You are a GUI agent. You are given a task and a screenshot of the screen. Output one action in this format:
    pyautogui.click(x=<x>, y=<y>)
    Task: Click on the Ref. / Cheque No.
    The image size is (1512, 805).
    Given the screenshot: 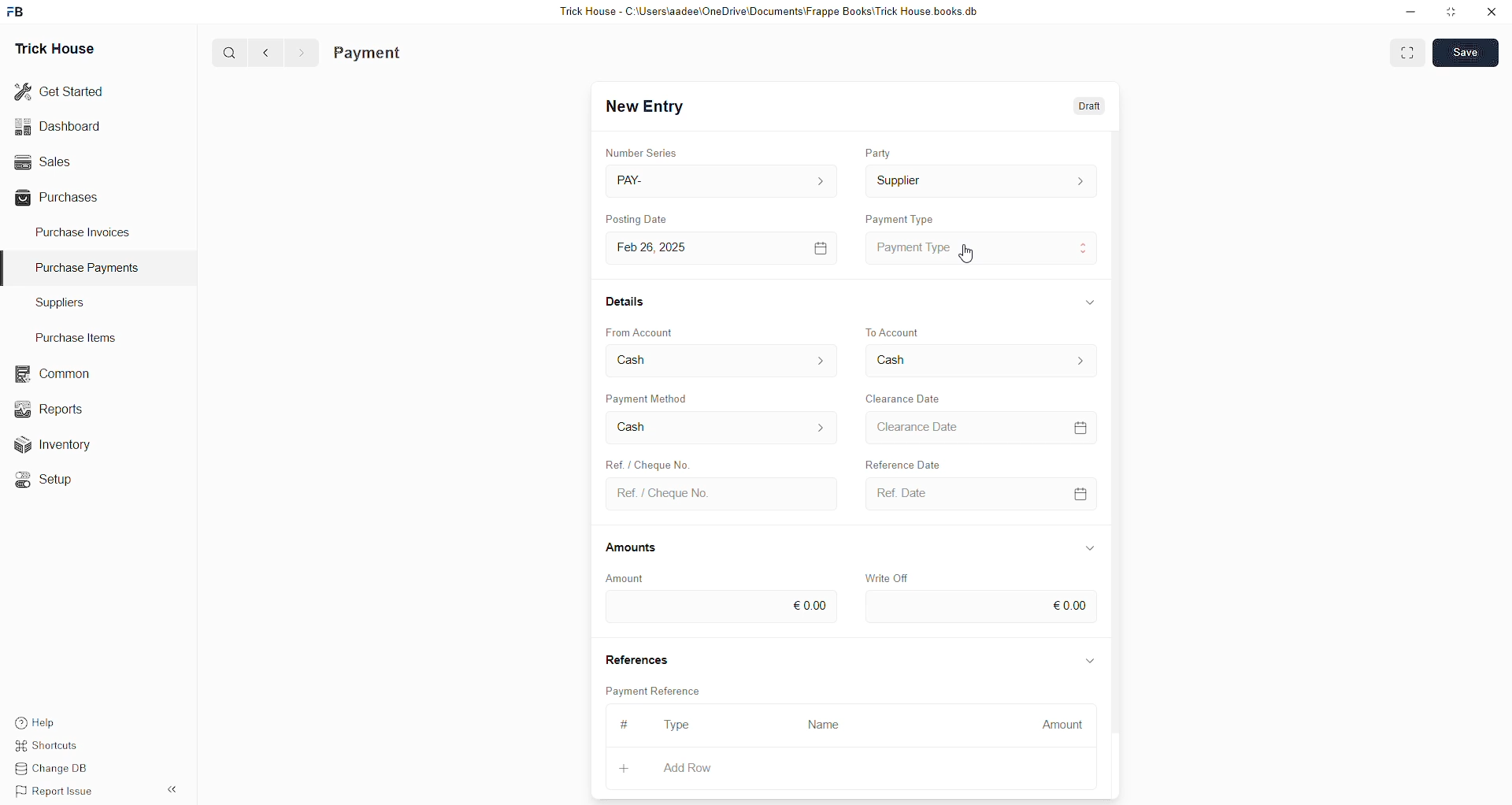 What is the action you would take?
    pyautogui.click(x=656, y=465)
    